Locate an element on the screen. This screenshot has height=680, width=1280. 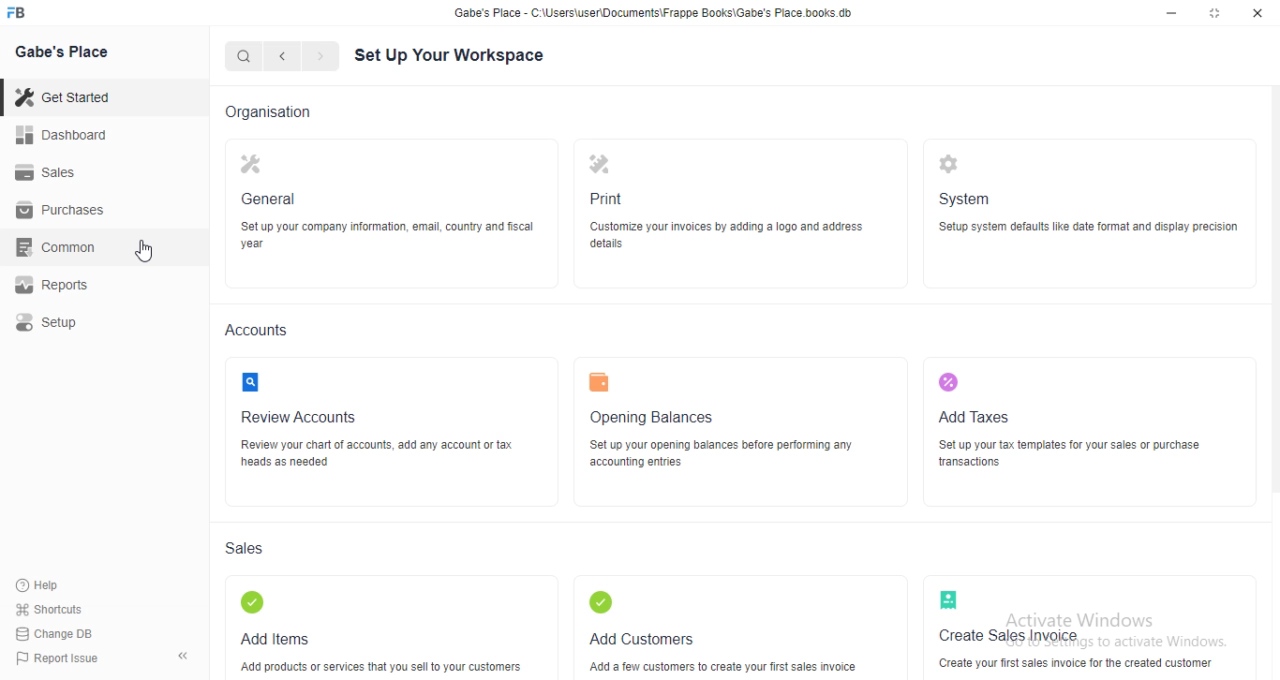
logo is located at coordinates (948, 381).